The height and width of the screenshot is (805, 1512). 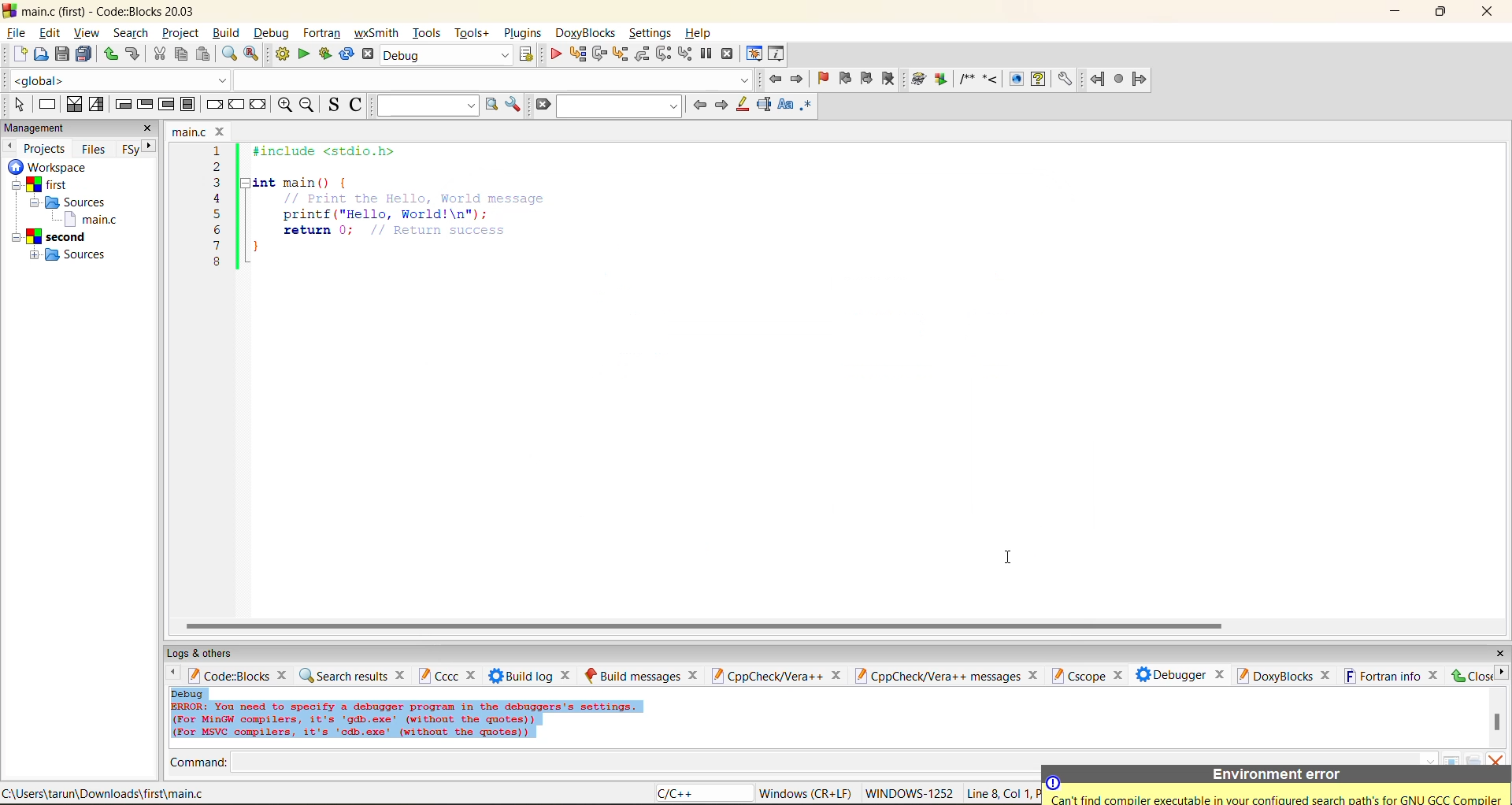 What do you see at coordinates (1473, 759) in the screenshot?
I see `open/browse` at bounding box center [1473, 759].